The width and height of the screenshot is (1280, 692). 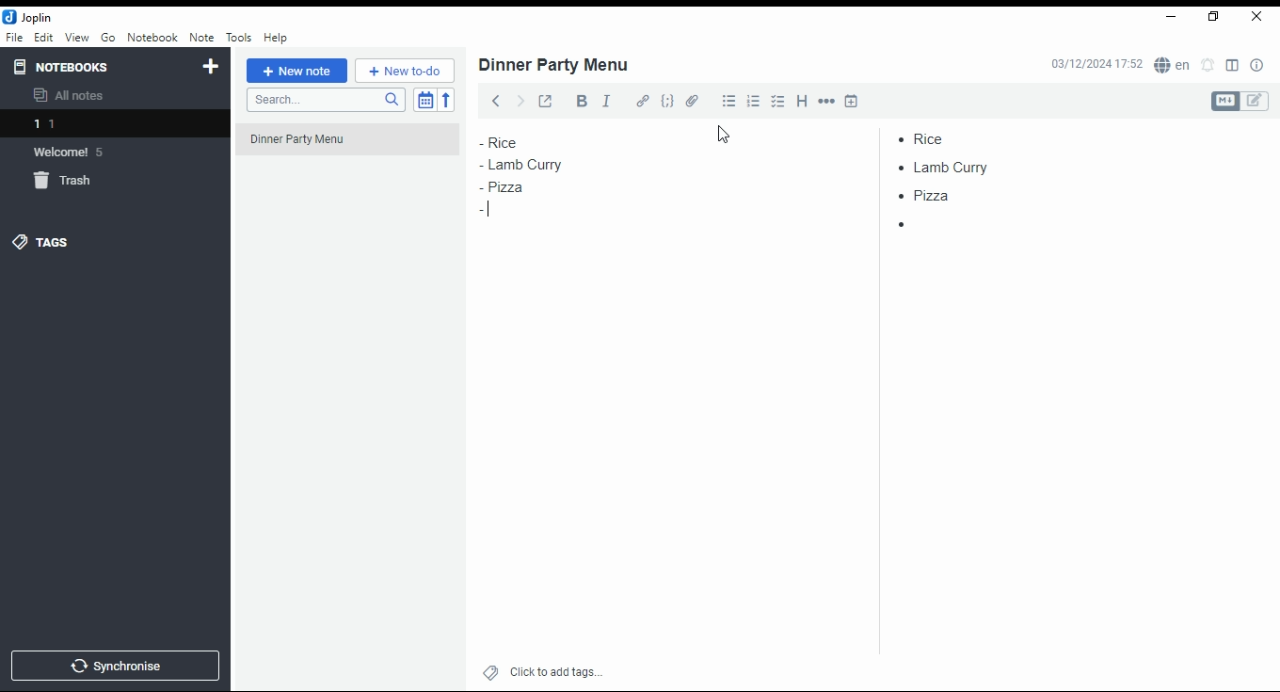 I want to click on notebook, so click(x=152, y=37).